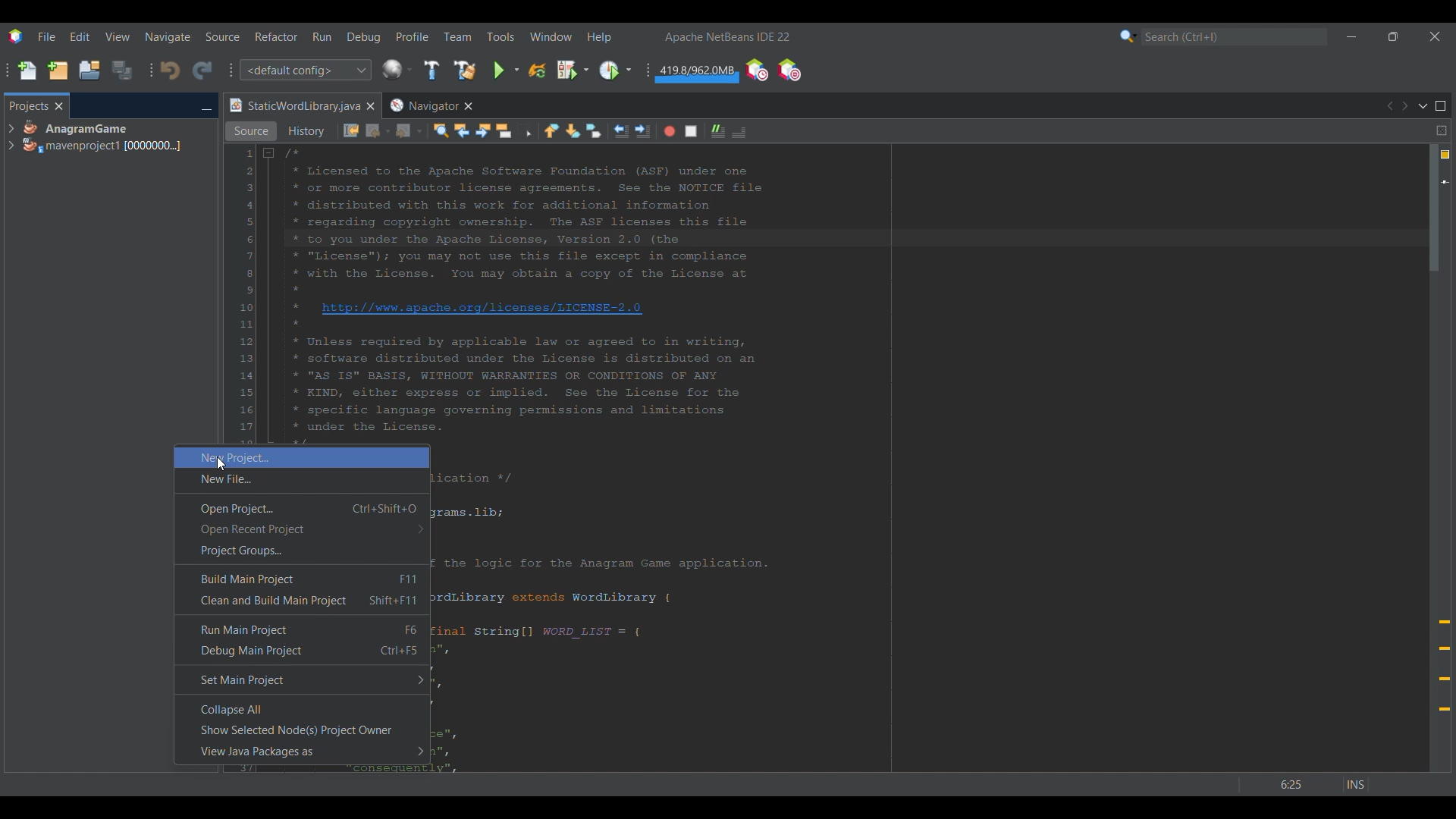 The image size is (1456, 819). What do you see at coordinates (593, 130) in the screenshot?
I see `Toggle bookmarks` at bounding box center [593, 130].